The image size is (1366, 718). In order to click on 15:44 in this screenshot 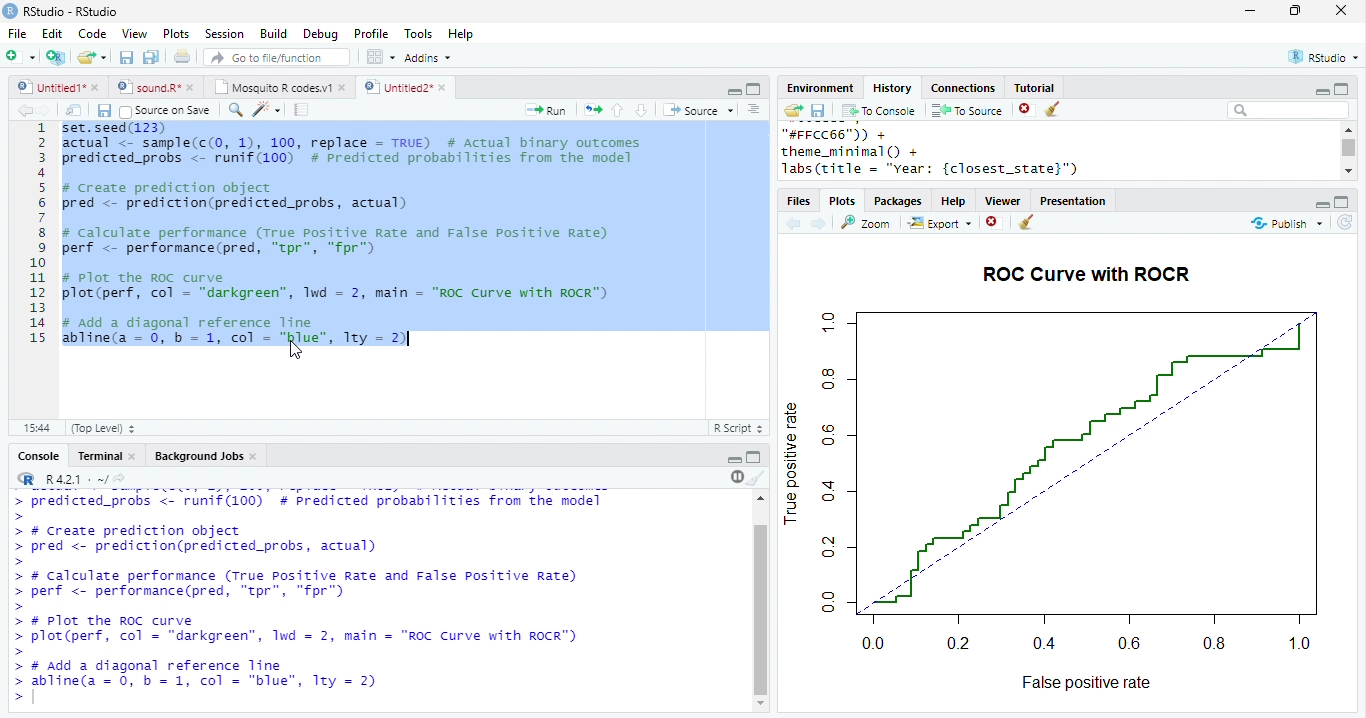, I will do `click(36, 427)`.